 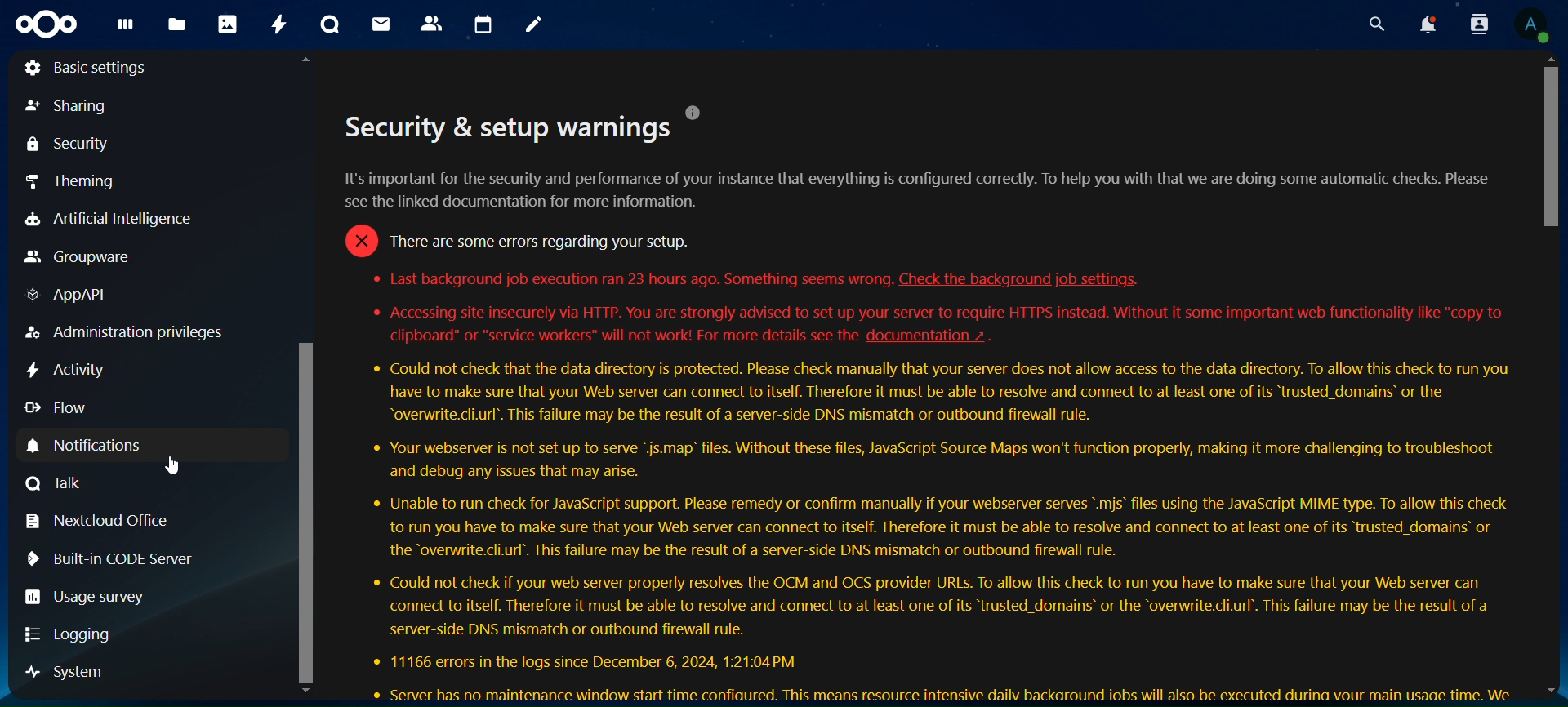 What do you see at coordinates (48, 24) in the screenshot?
I see `icon` at bounding box center [48, 24].